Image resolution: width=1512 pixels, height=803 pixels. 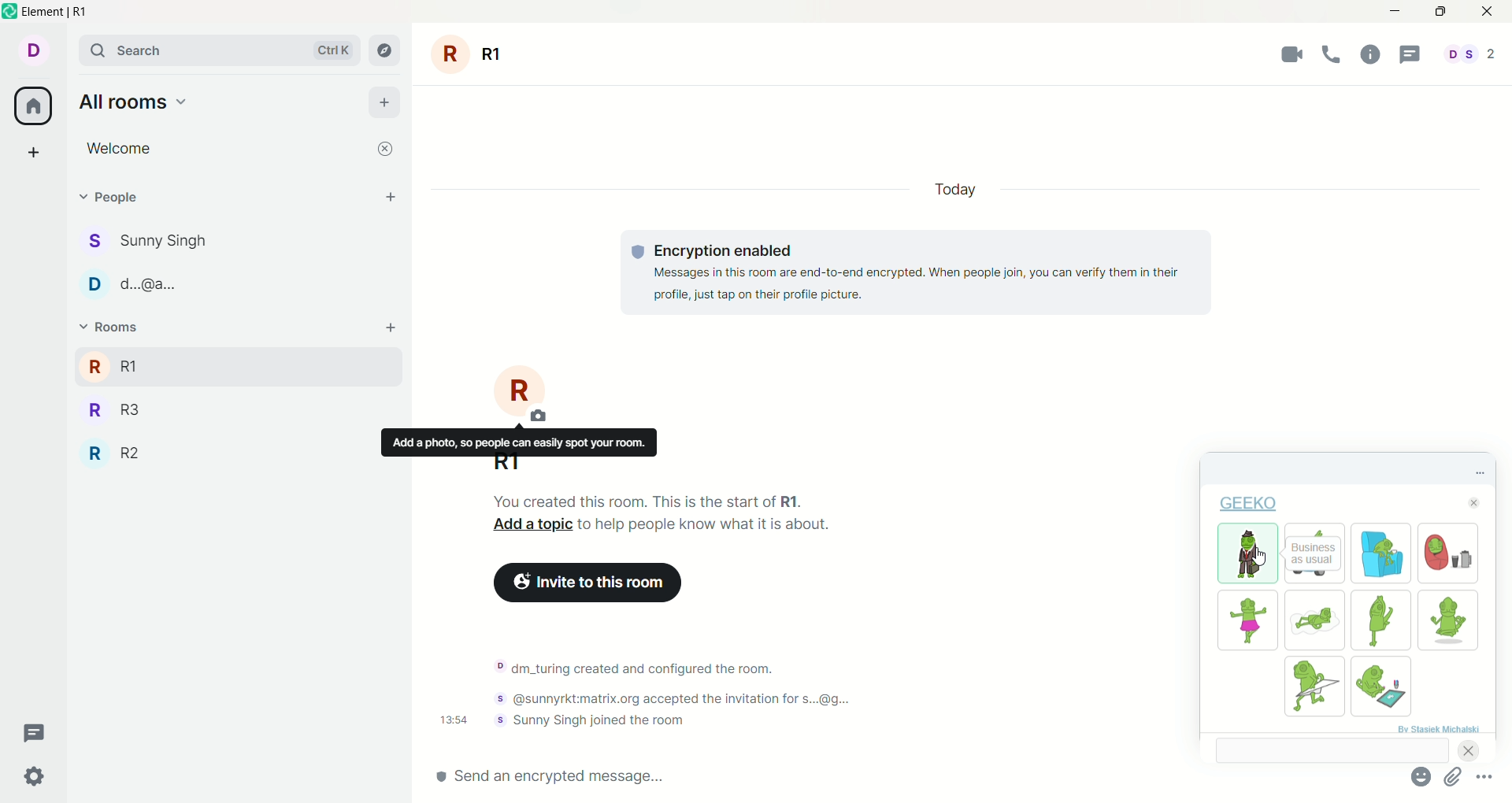 I want to click on options, so click(x=1480, y=473).